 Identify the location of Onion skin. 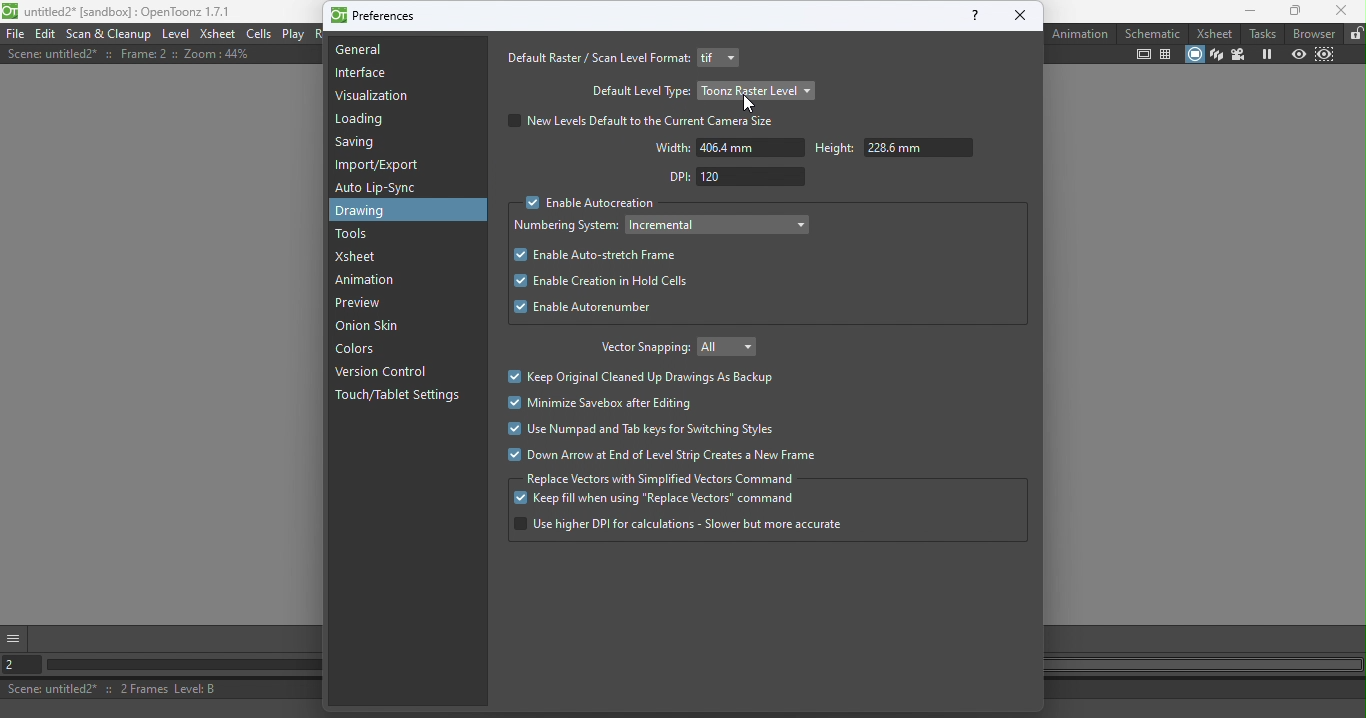
(377, 327).